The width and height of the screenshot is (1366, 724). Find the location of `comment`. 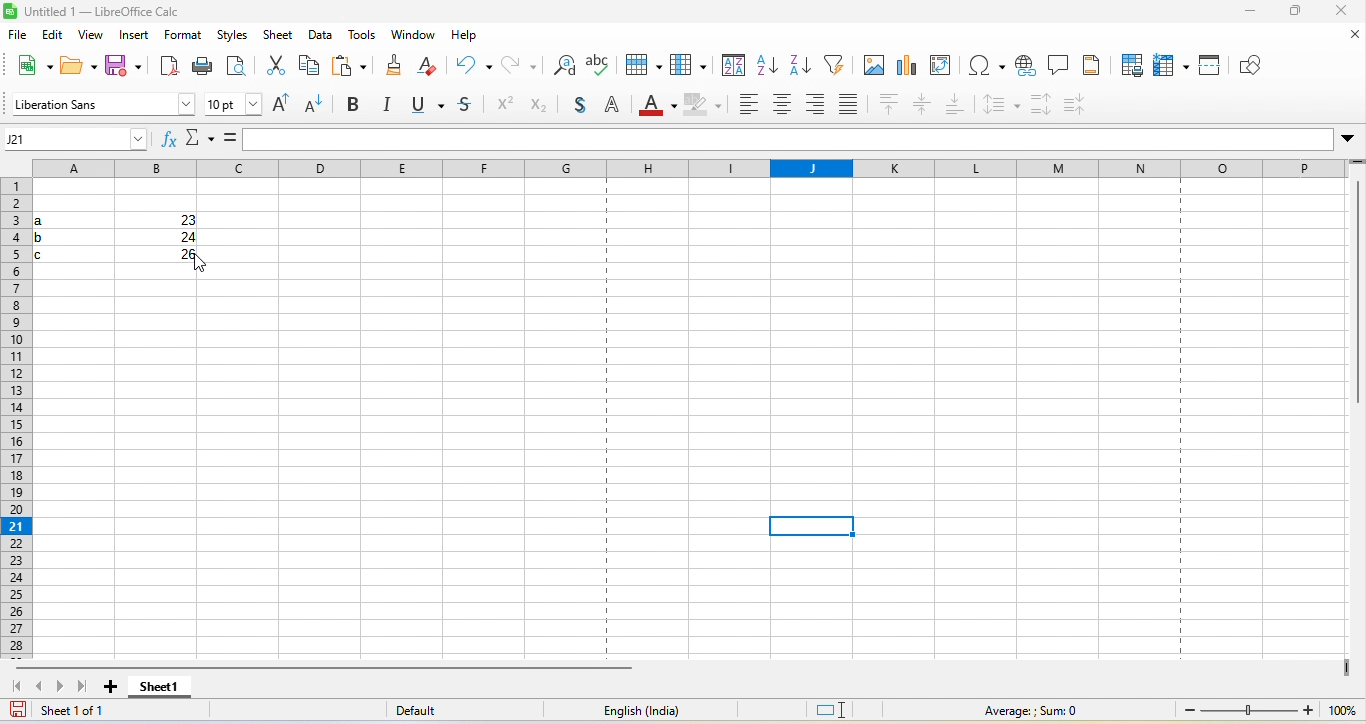

comment is located at coordinates (1059, 65).